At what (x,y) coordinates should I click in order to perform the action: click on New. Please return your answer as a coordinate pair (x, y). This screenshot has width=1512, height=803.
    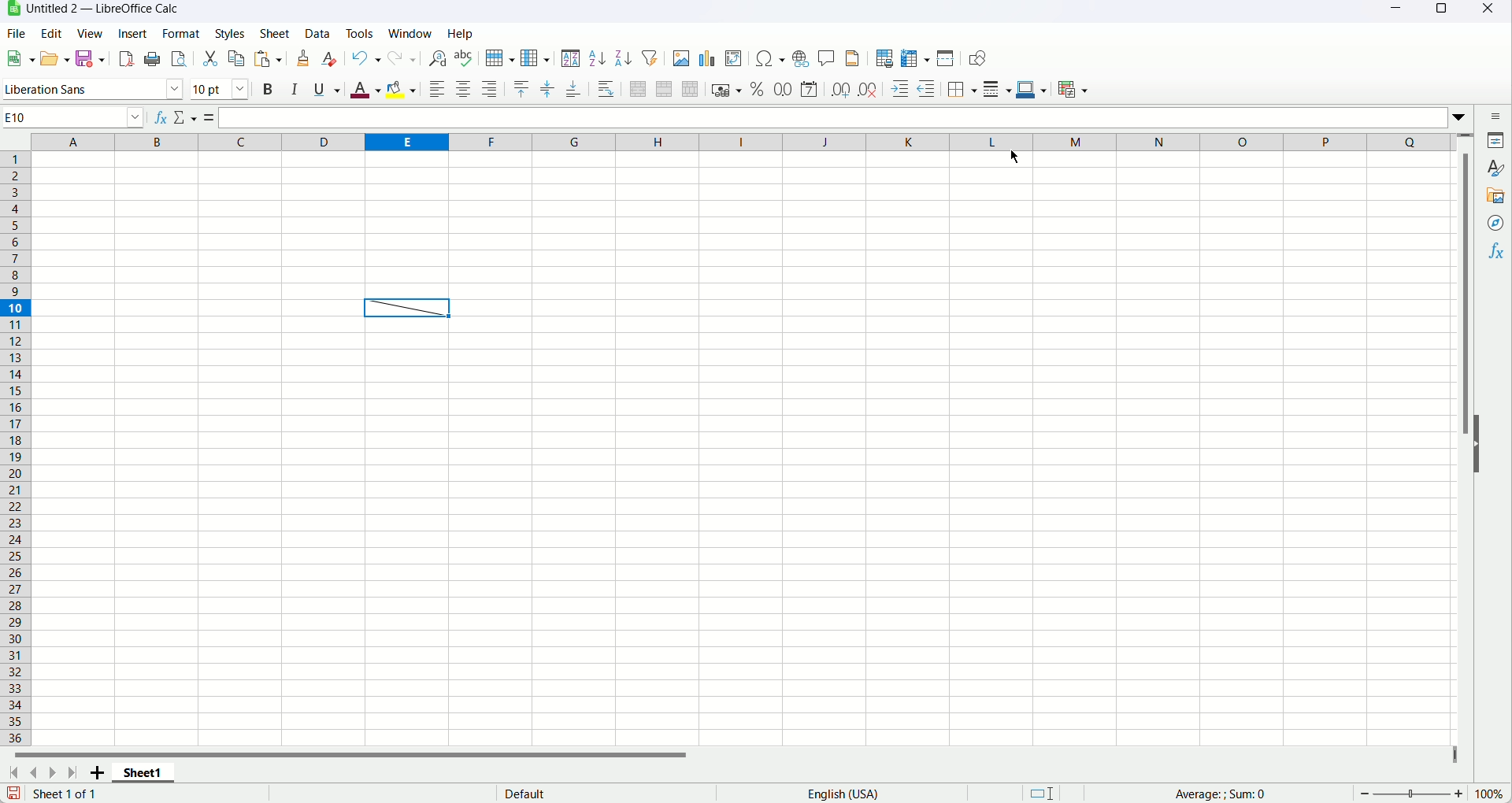
    Looking at the image, I should click on (19, 58).